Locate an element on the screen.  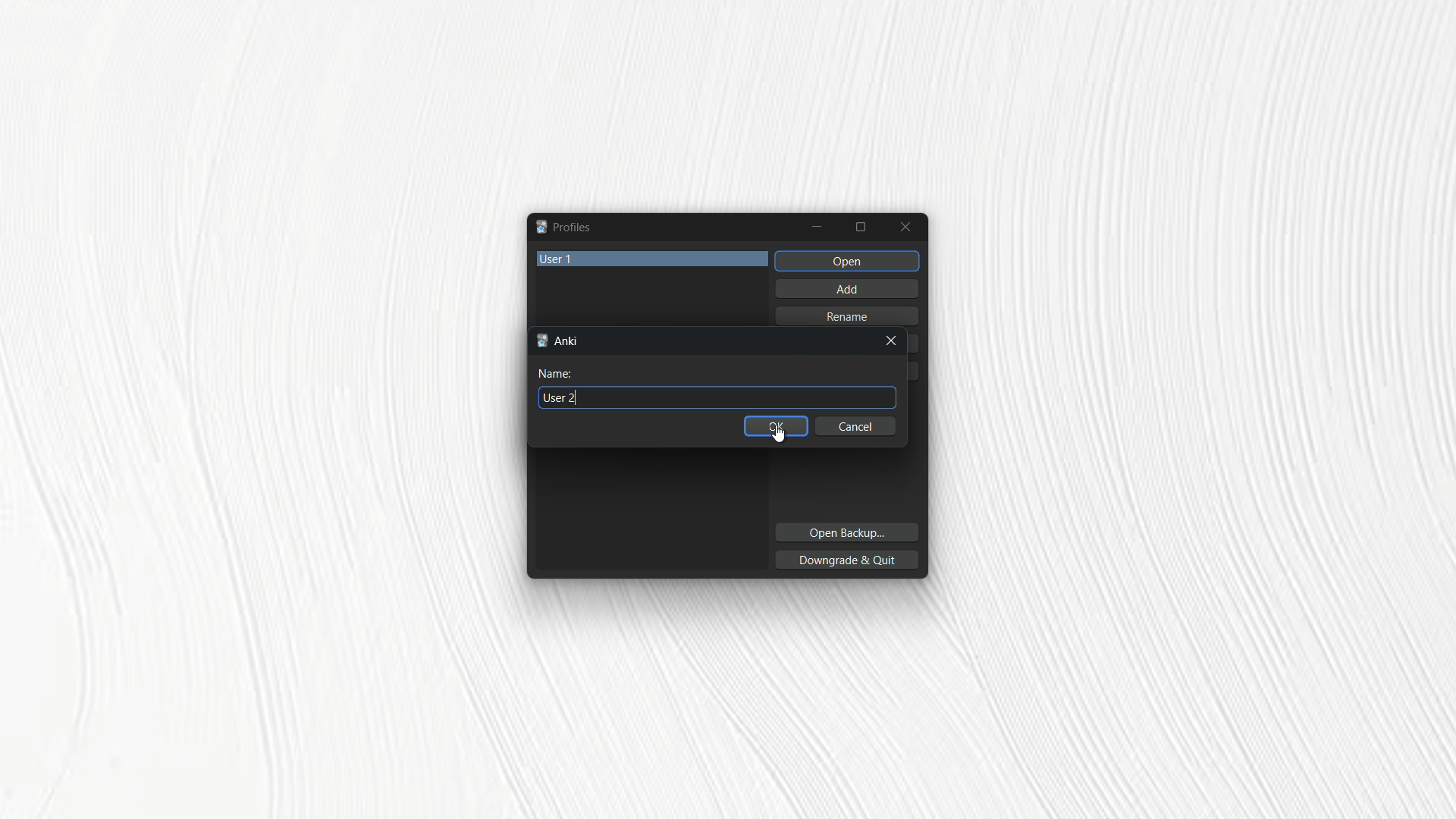
add is located at coordinates (846, 287).